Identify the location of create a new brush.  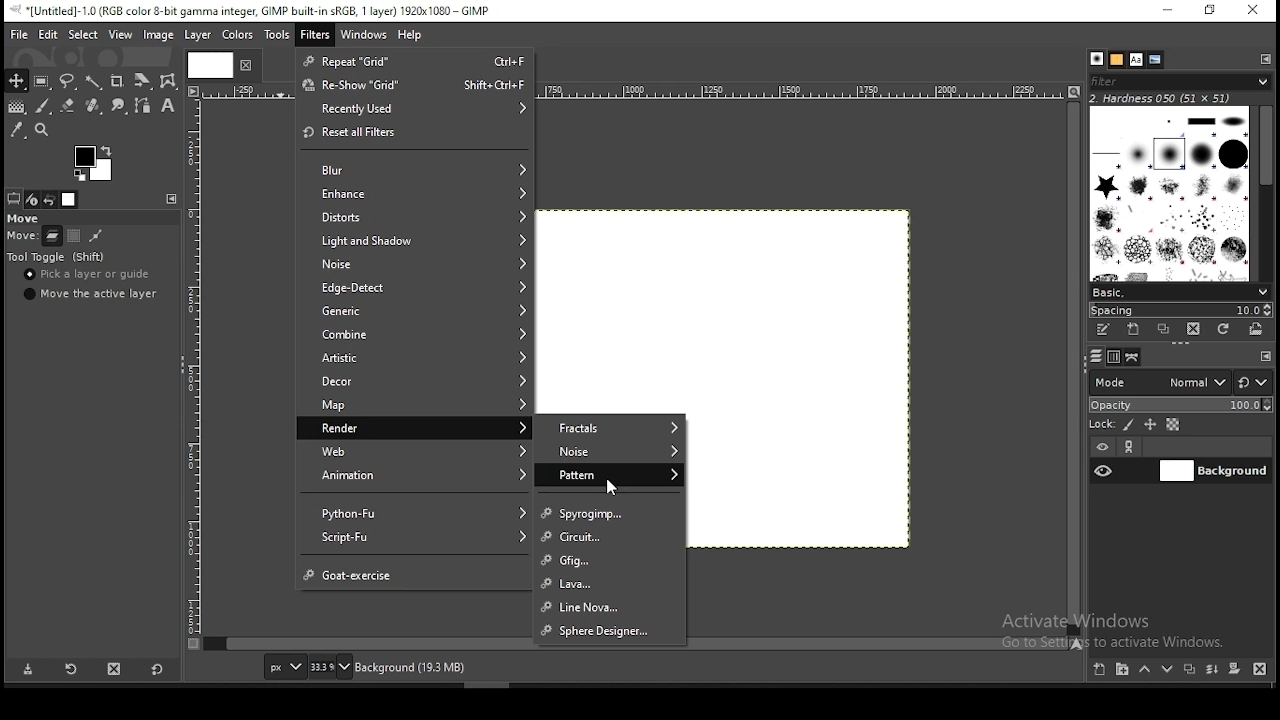
(1135, 330).